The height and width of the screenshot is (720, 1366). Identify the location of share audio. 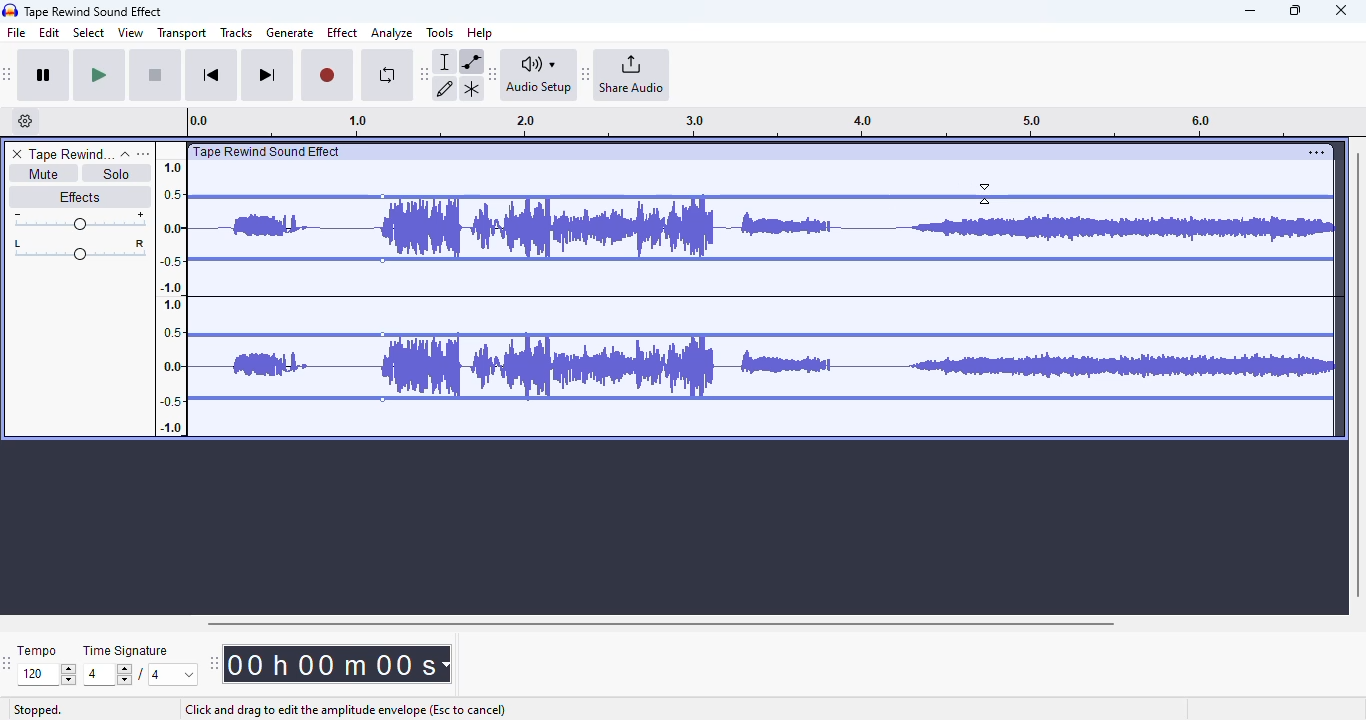
(633, 75).